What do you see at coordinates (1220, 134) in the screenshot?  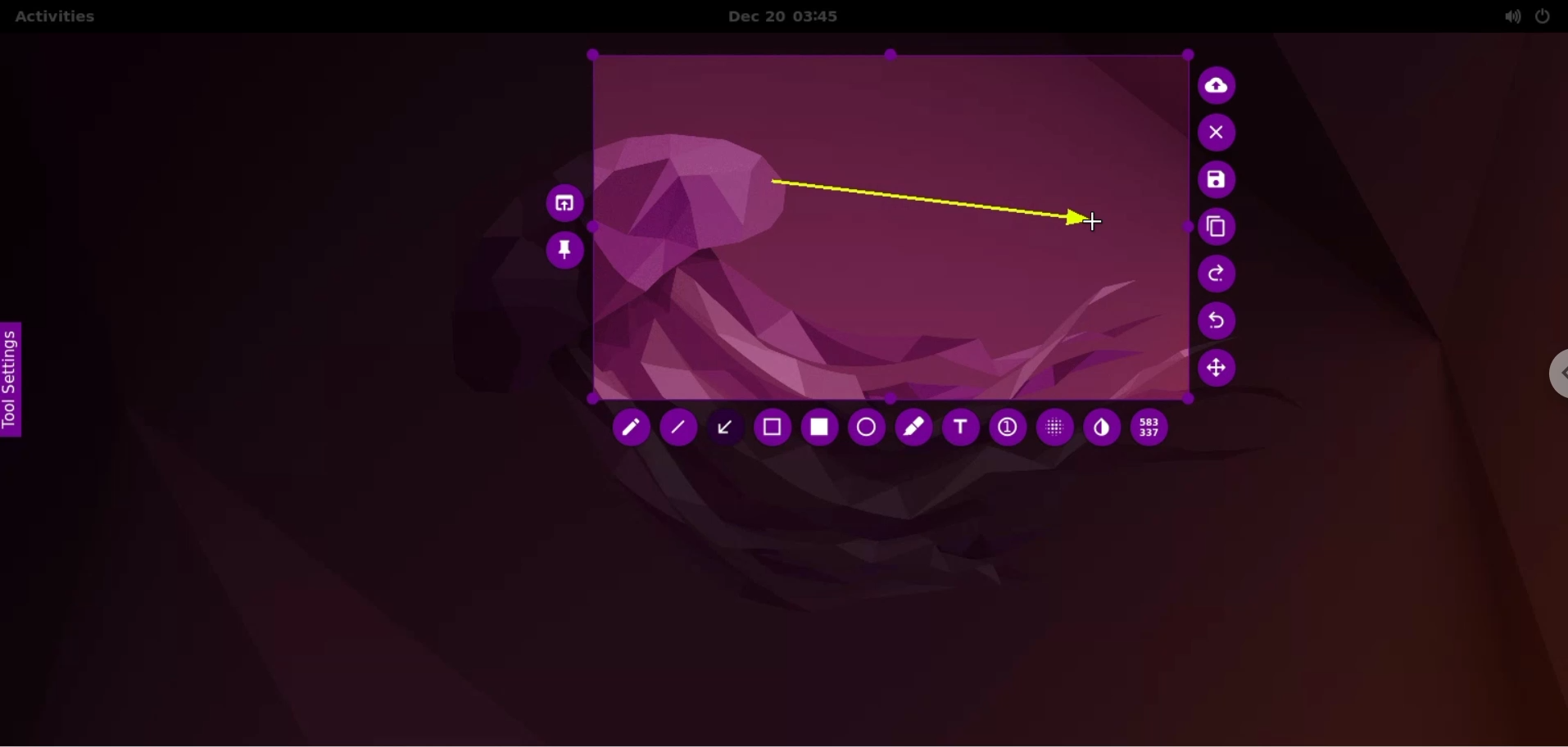 I see `cancel capture` at bounding box center [1220, 134].